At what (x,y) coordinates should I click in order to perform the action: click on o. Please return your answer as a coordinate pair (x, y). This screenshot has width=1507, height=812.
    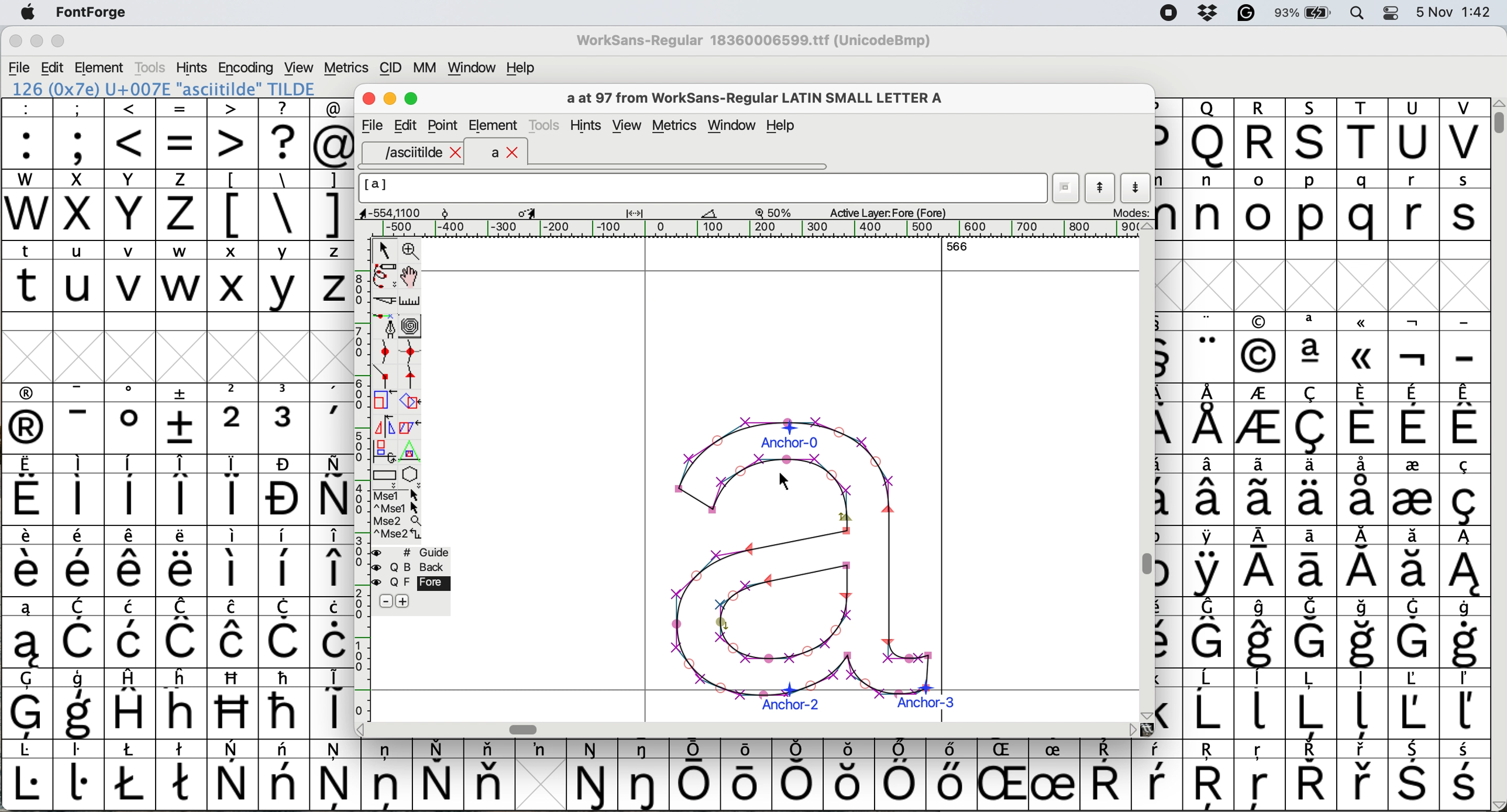
    Looking at the image, I should click on (1261, 207).